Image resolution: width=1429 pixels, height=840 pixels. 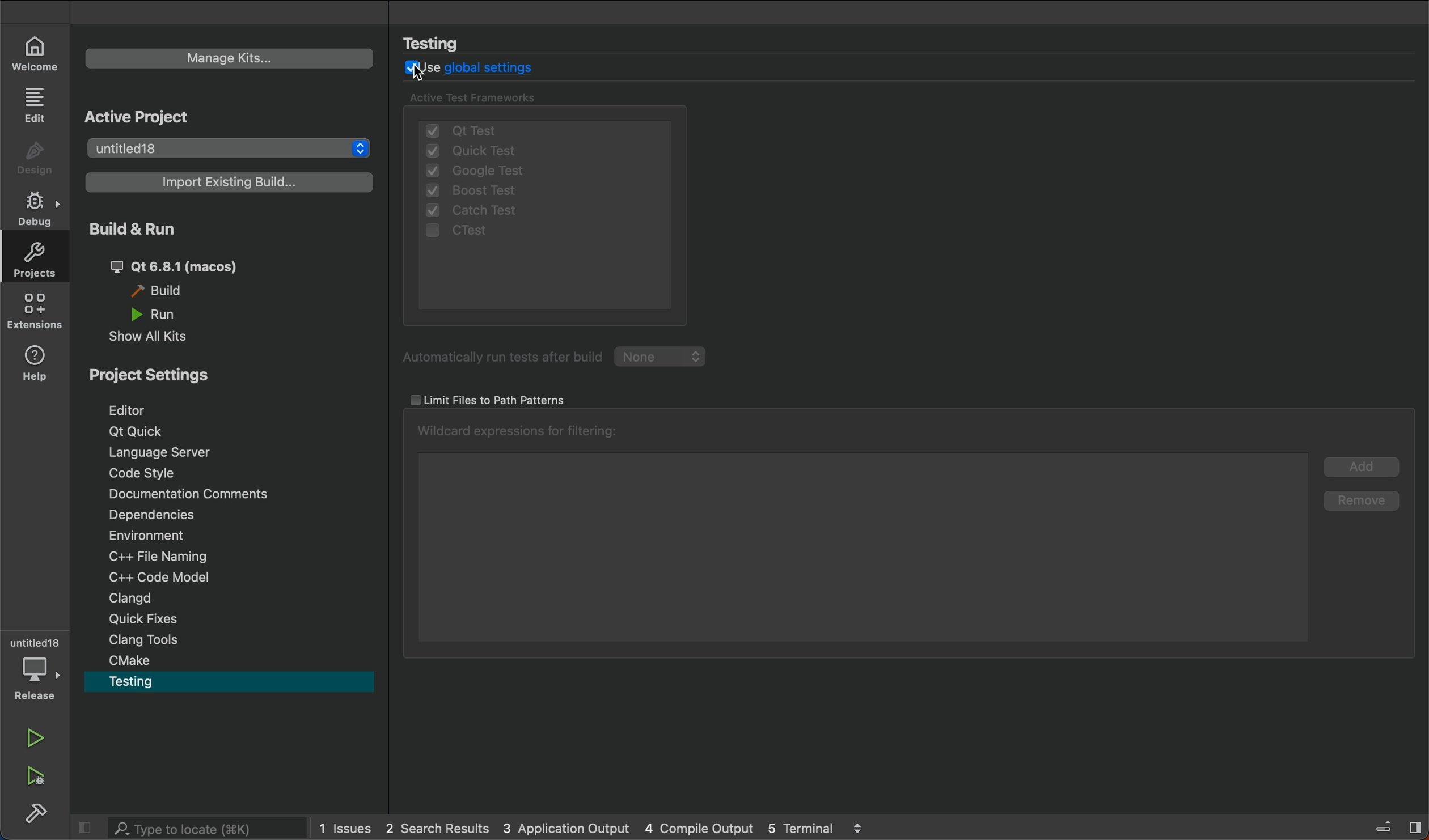 I want to click on qt test, so click(x=542, y=126).